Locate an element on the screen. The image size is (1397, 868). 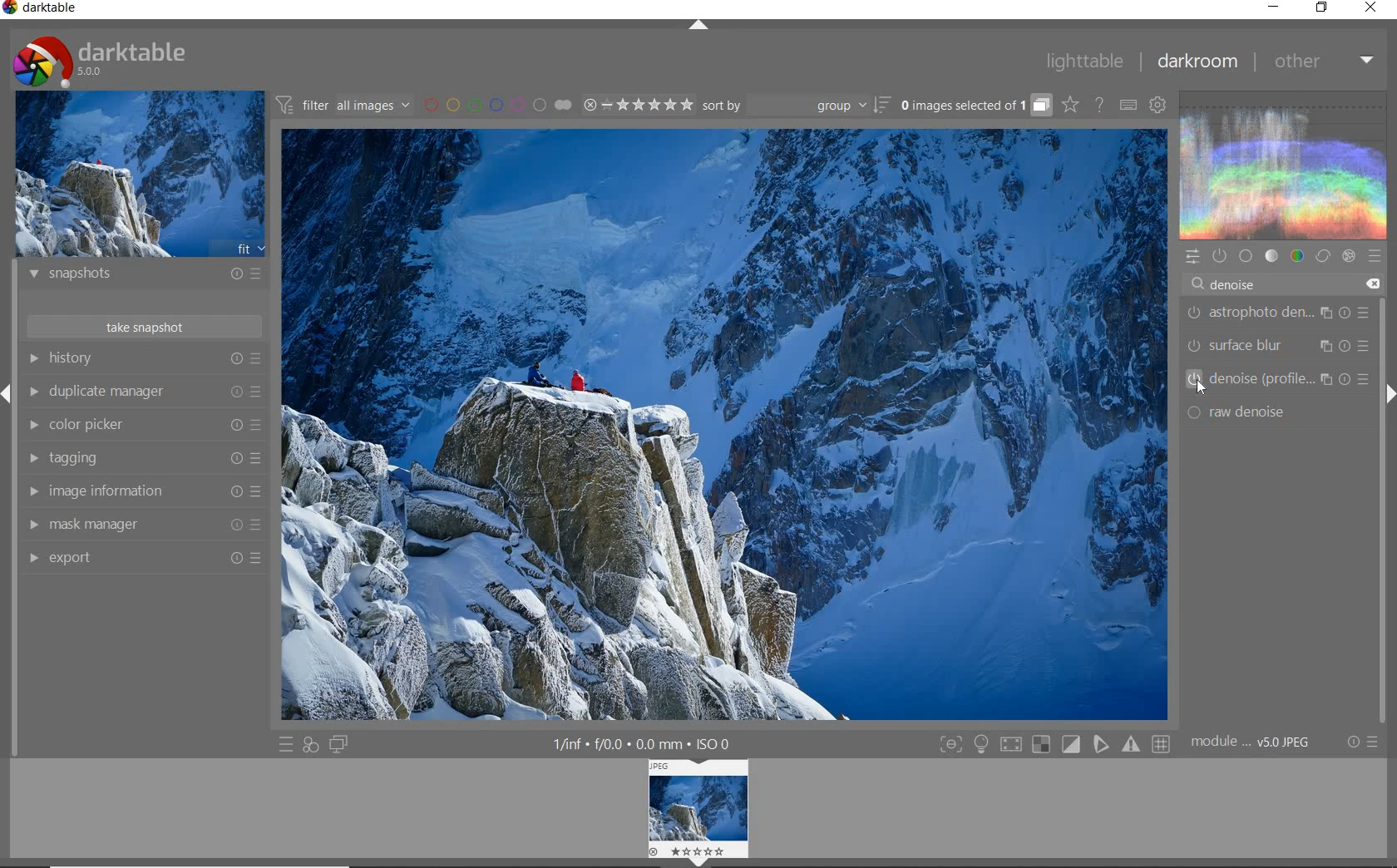
astrophoto density is located at coordinates (1278, 316).